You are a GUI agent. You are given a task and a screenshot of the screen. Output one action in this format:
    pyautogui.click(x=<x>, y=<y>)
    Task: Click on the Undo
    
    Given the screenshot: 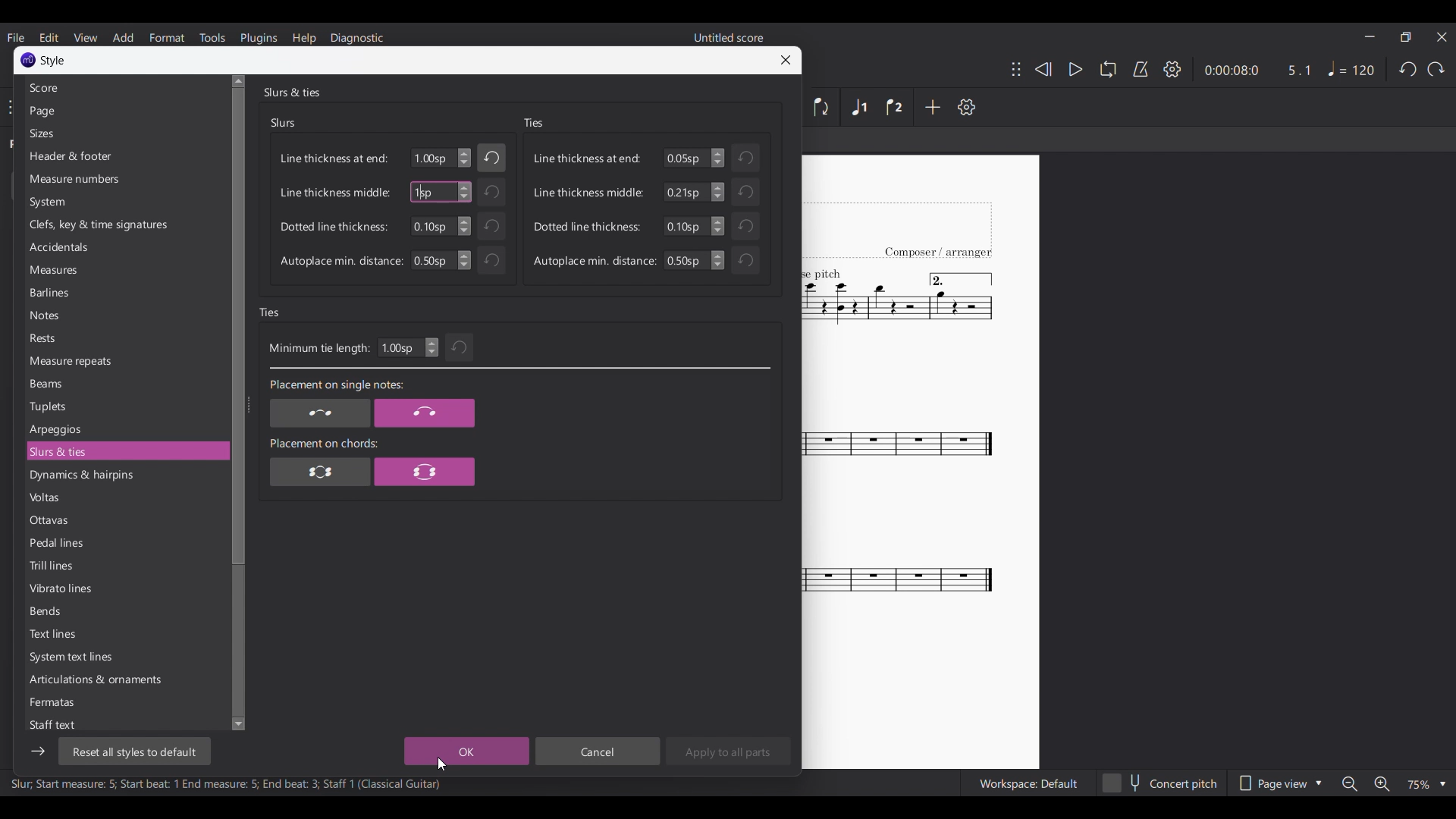 What is the action you would take?
    pyautogui.click(x=491, y=192)
    